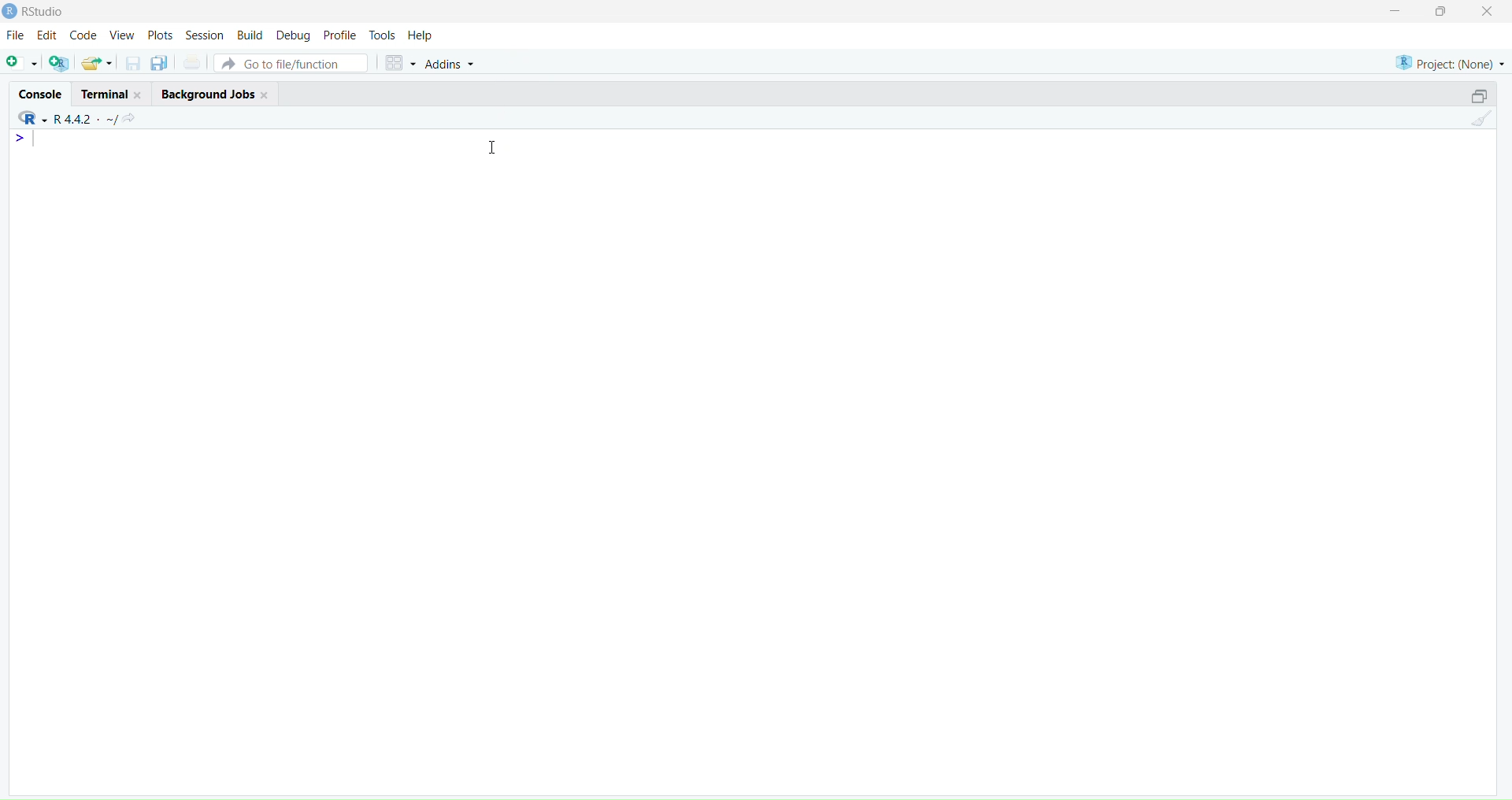 The image size is (1512, 800). Describe the element at coordinates (17, 35) in the screenshot. I see `file` at that location.